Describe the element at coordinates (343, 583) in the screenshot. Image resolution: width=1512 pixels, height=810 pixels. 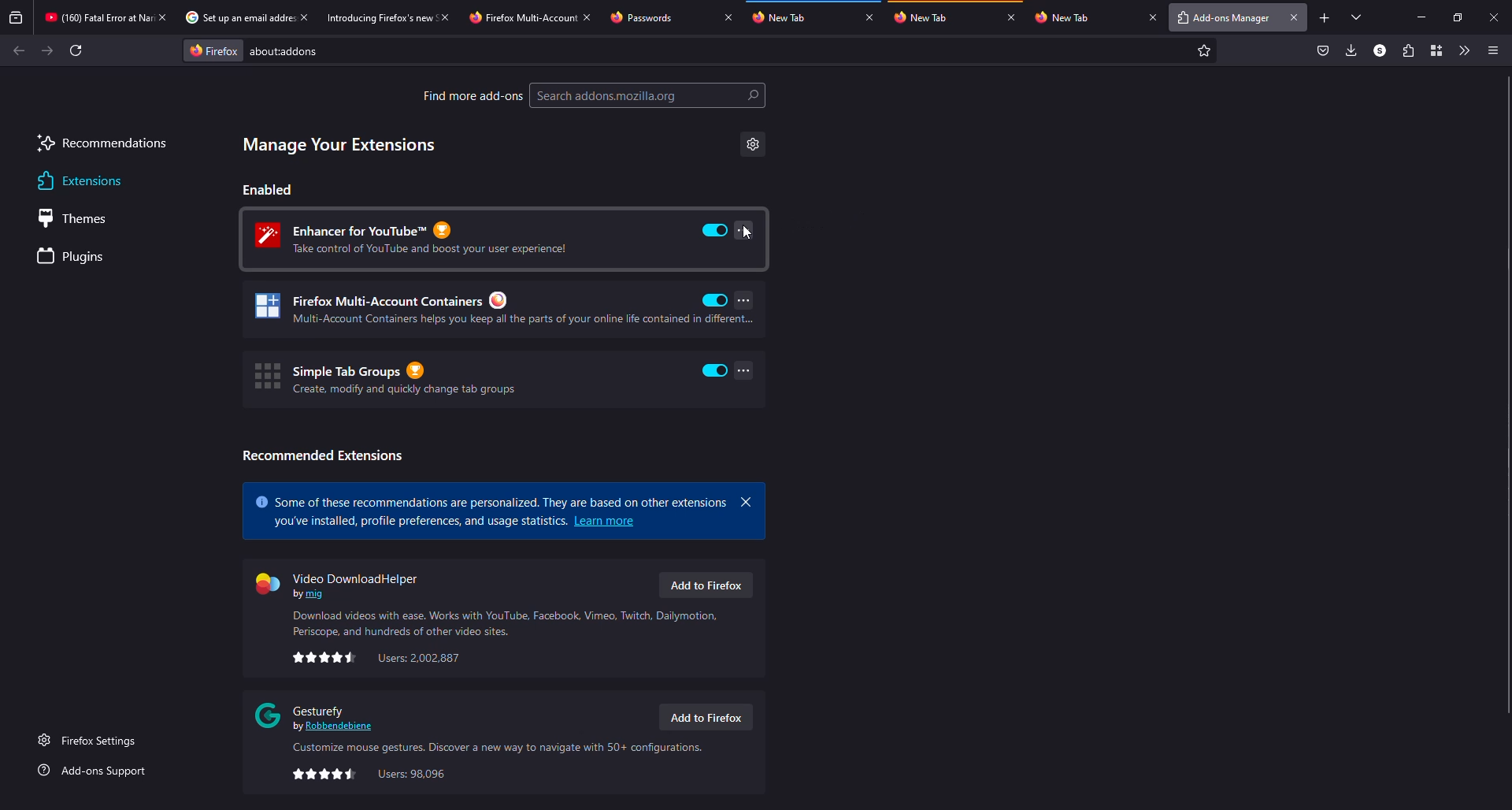
I see `video` at that location.